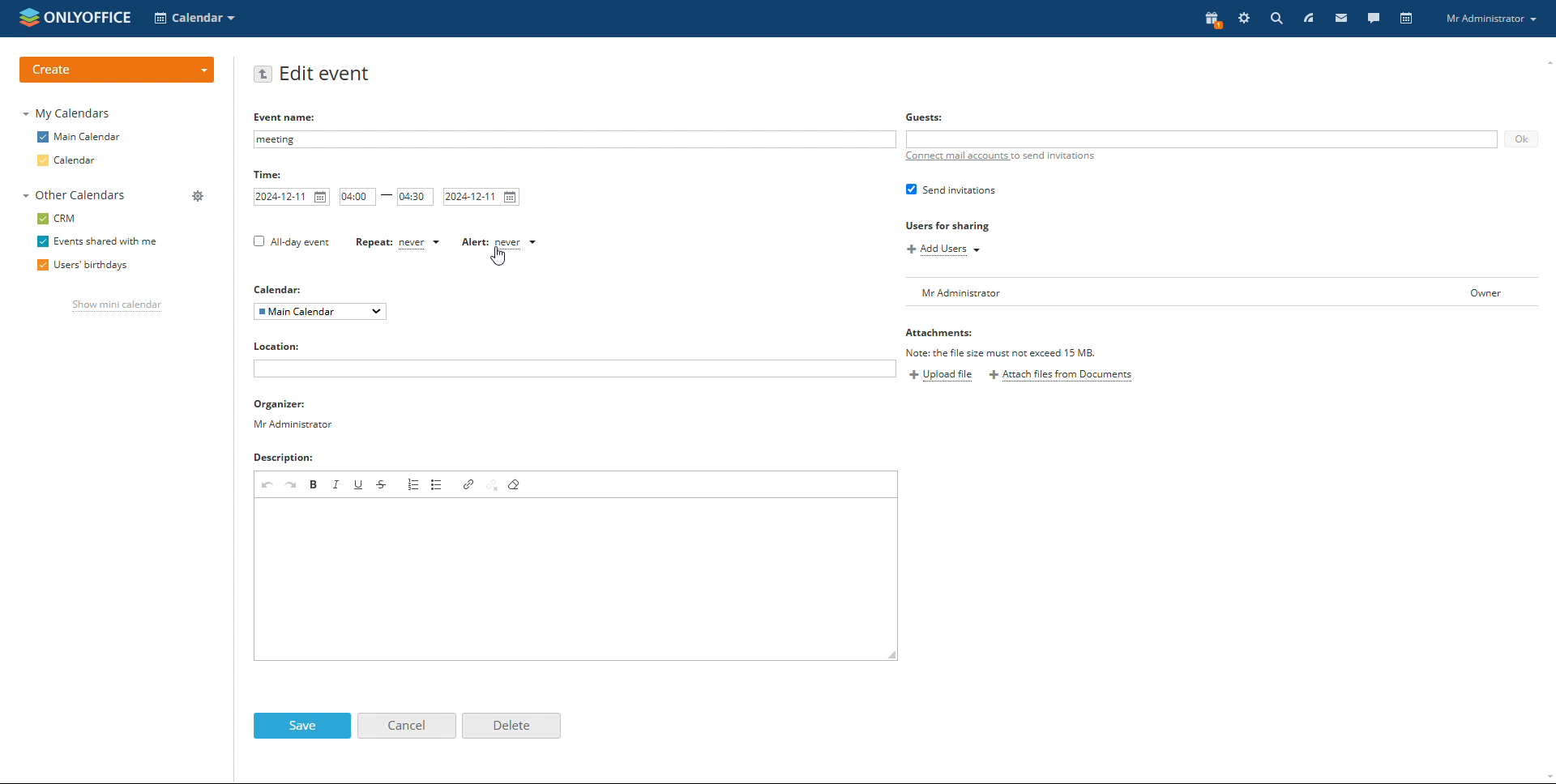  Describe the element at coordinates (1346, 19) in the screenshot. I see `mail` at that location.